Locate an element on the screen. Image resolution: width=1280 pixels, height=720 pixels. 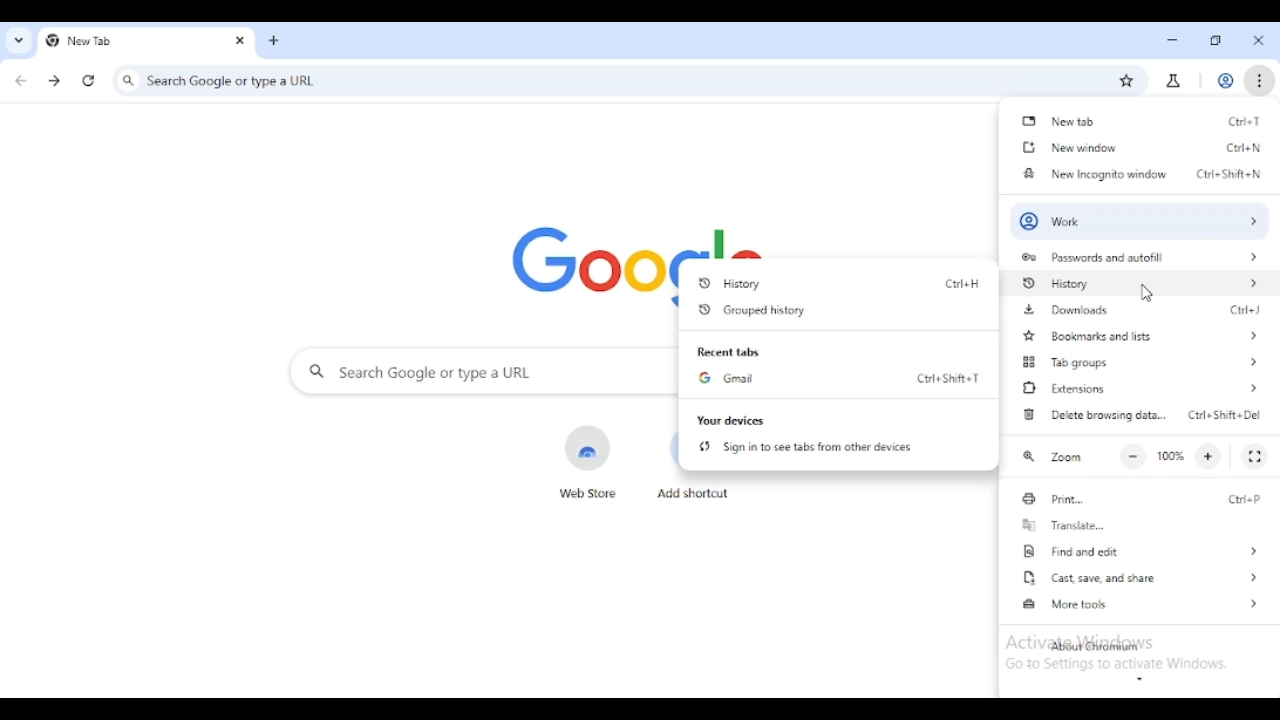
maximize is located at coordinates (1217, 41).